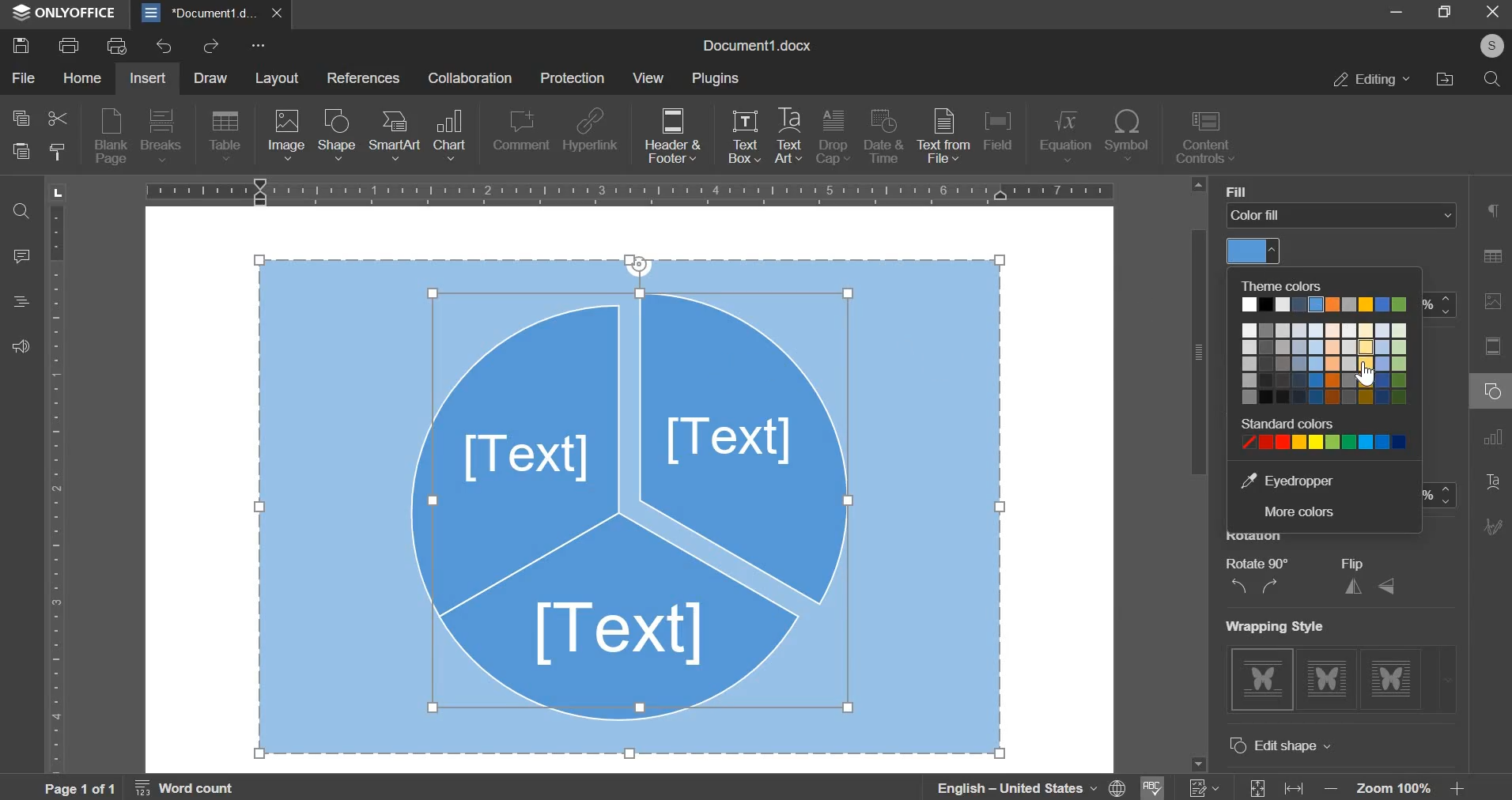 The image size is (1512, 800). I want to click on Right Side Bar, so click(1491, 376).